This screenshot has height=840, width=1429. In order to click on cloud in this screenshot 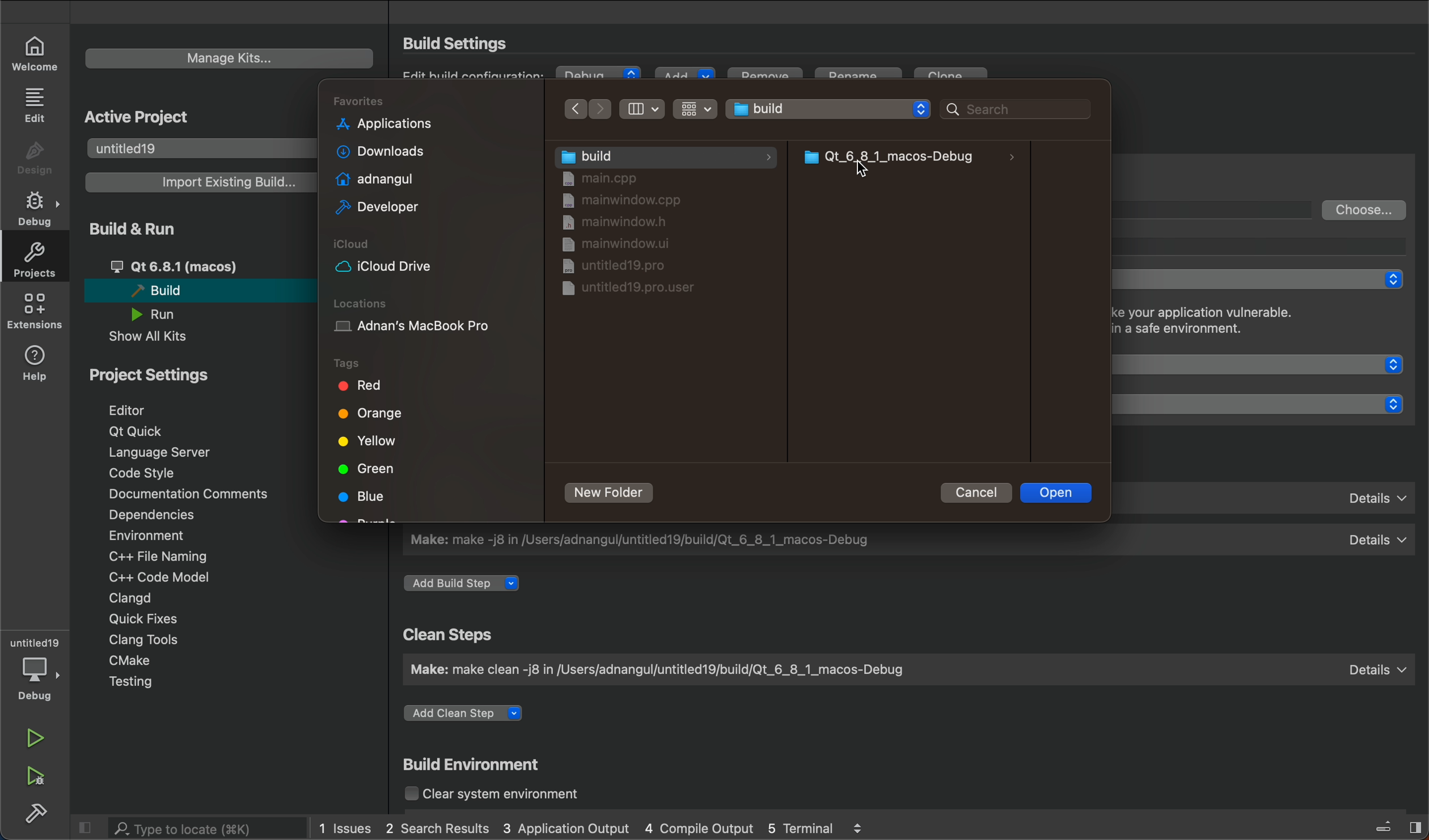, I will do `click(429, 257)`.